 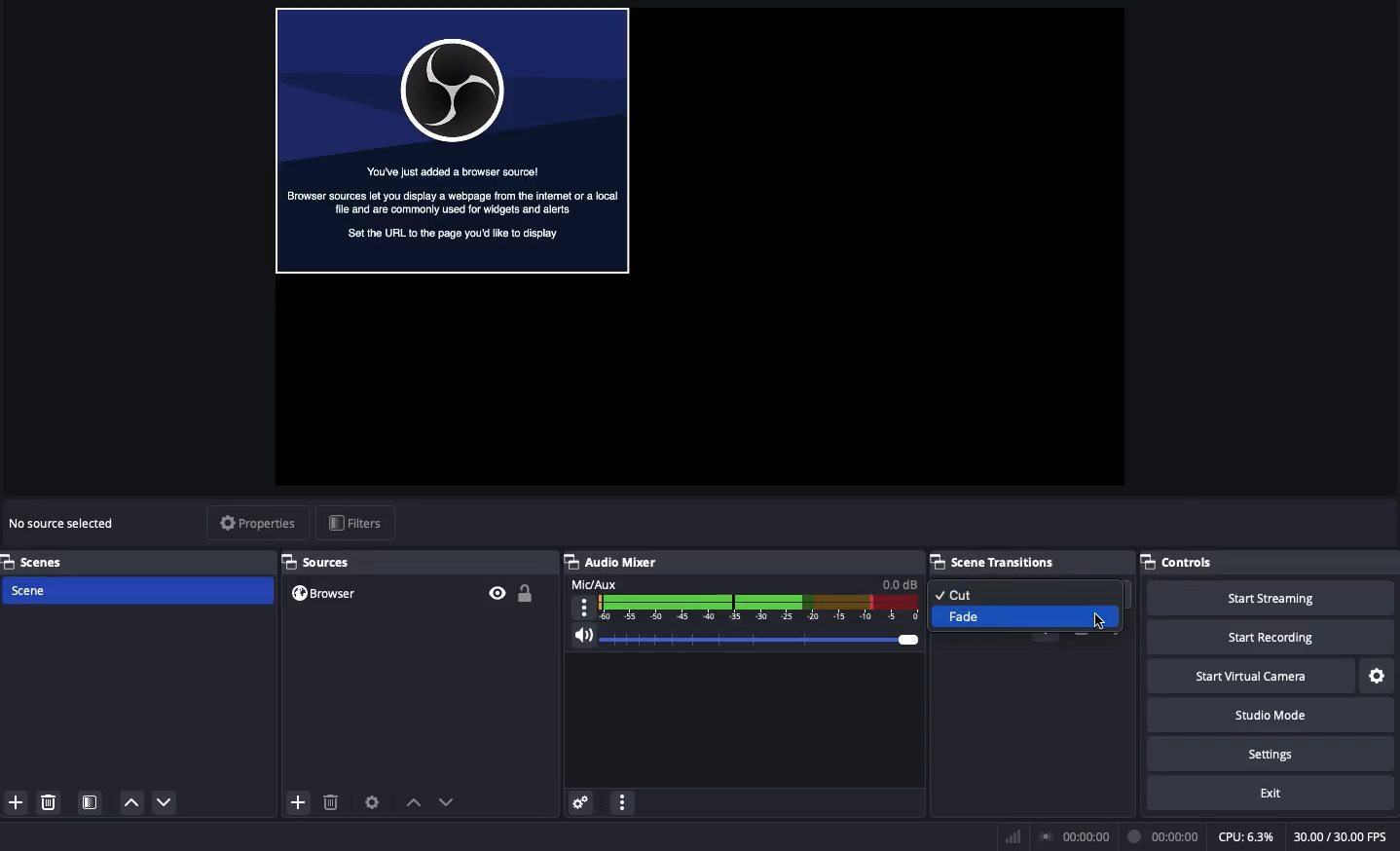 I want to click on Sources preferences, so click(x=375, y=800).